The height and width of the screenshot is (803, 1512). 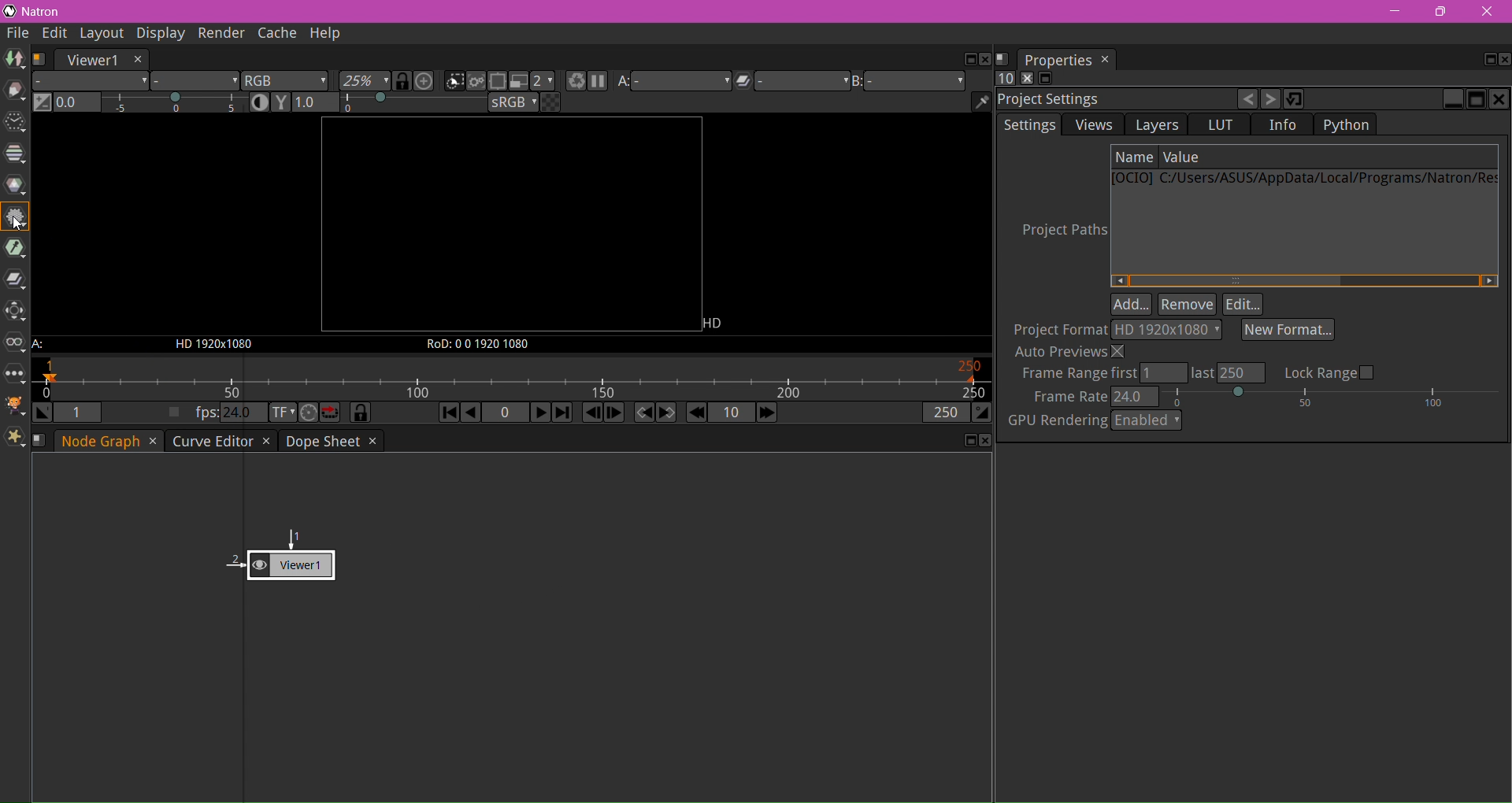 I want to click on Viewer gamma correction level, so click(x=390, y=103).